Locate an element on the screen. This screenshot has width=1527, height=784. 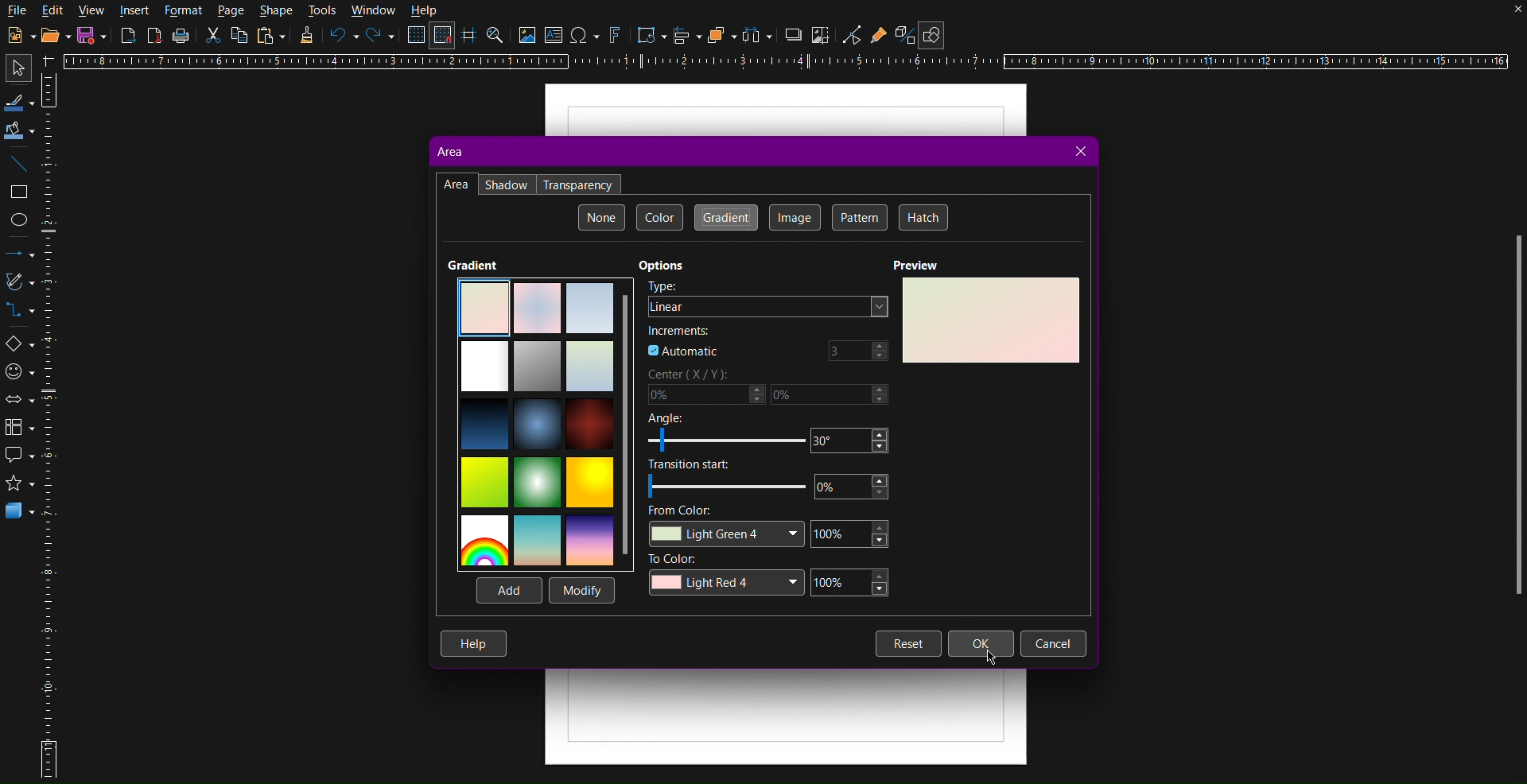
Copy is located at coordinates (239, 37).